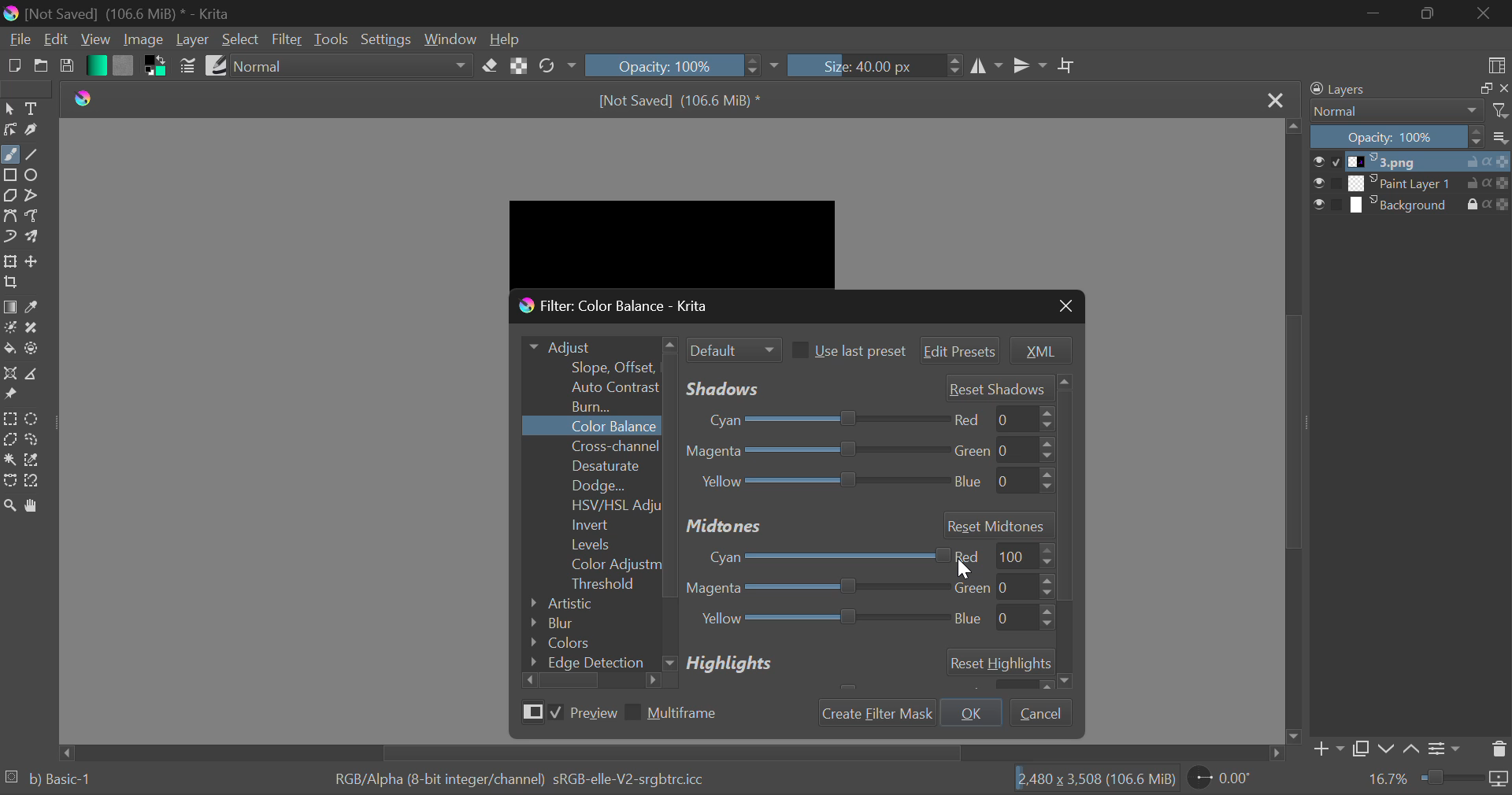  What do you see at coordinates (594, 405) in the screenshot?
I see `Burn` at bounding box center [594, 405].